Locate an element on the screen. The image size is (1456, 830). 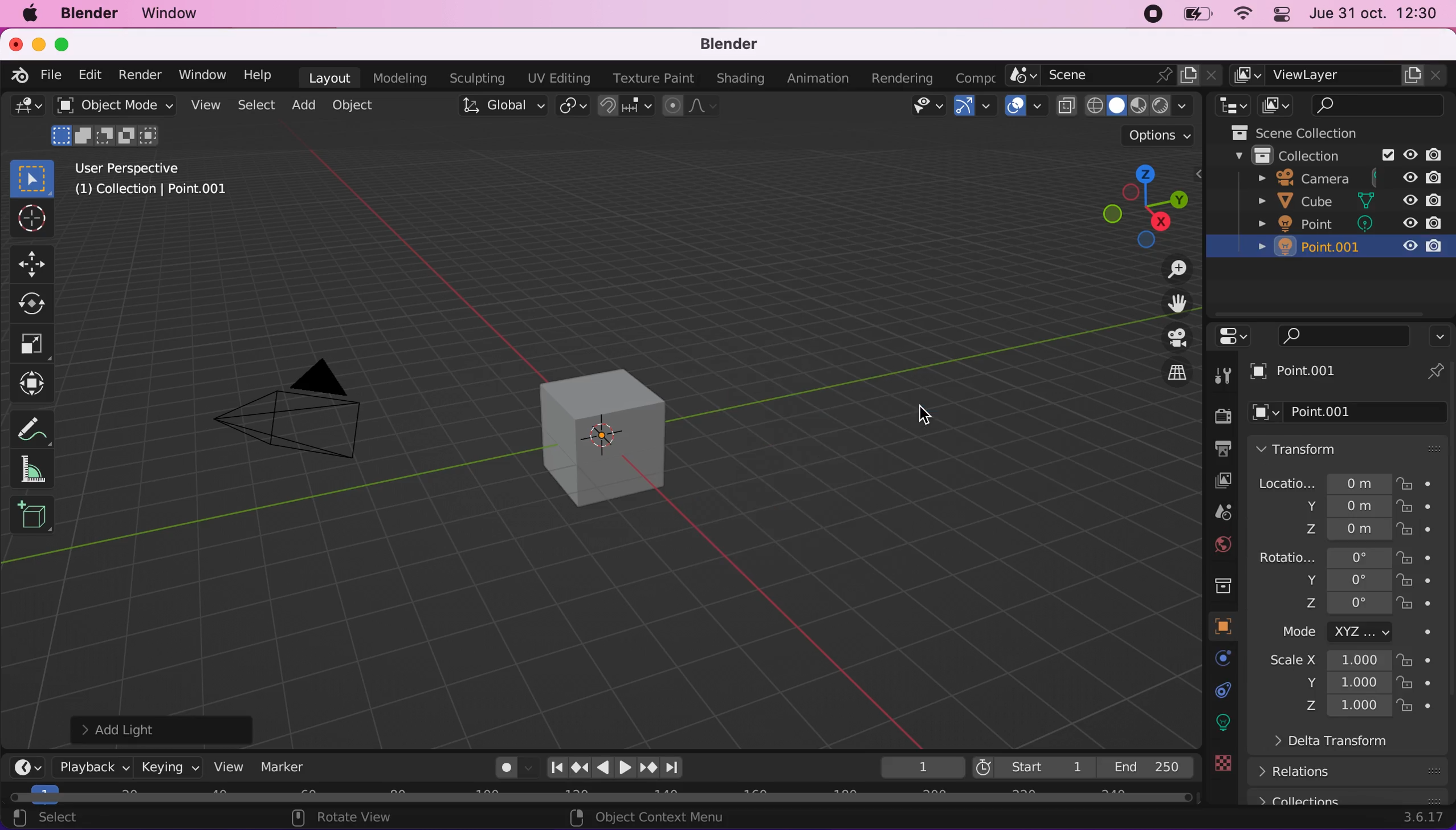
1 is located at coordinates (911, 765).